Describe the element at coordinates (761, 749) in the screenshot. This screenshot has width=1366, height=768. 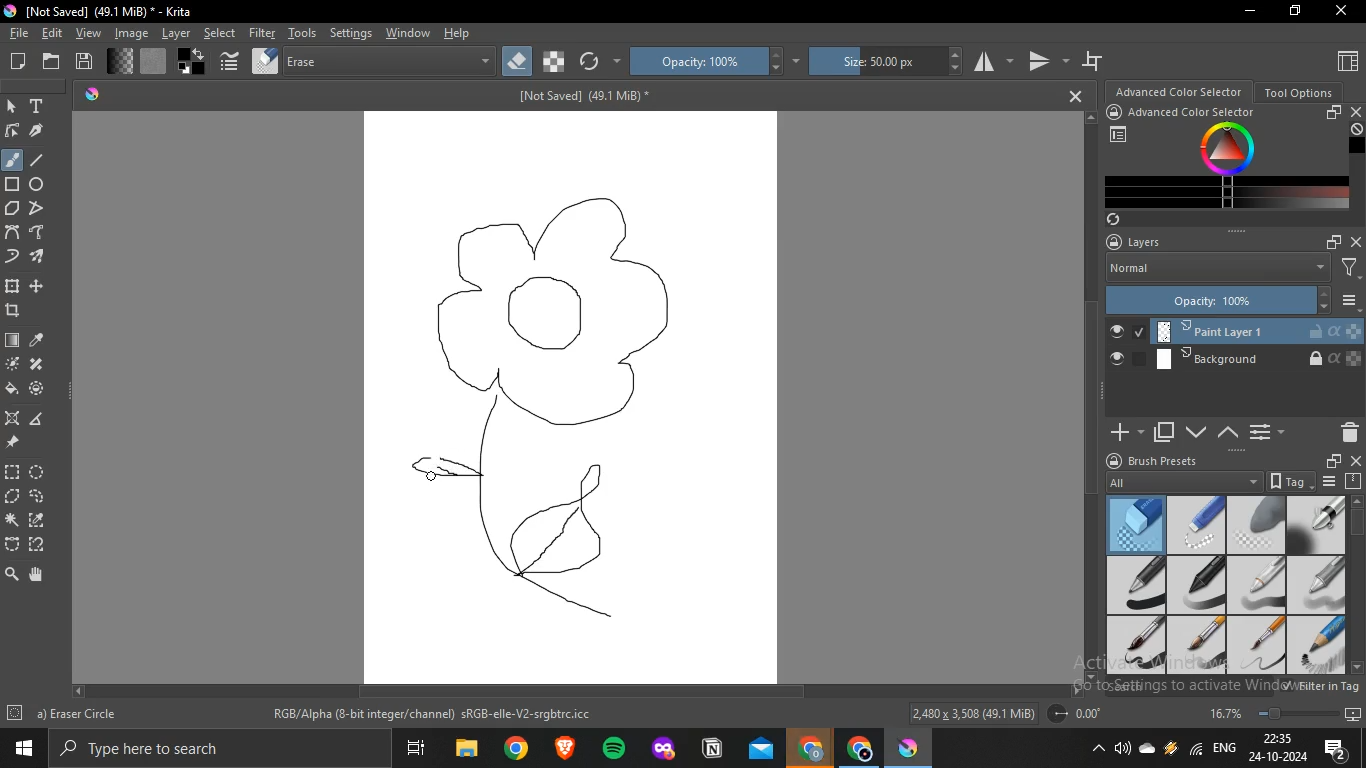
I see `Application` at that location.